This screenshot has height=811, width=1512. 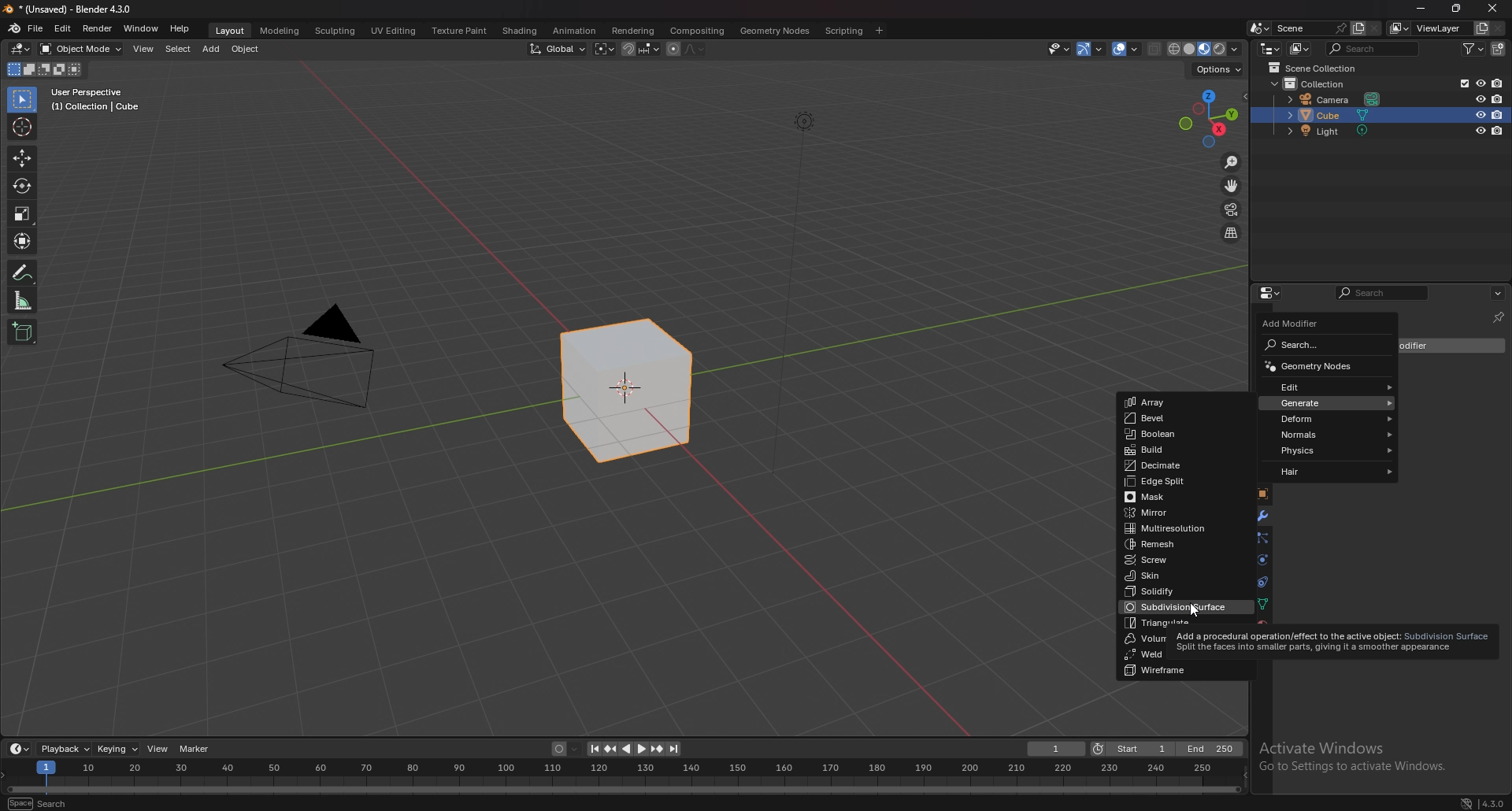 I want to click on hide in viewport, so click(x=1480, y=115).